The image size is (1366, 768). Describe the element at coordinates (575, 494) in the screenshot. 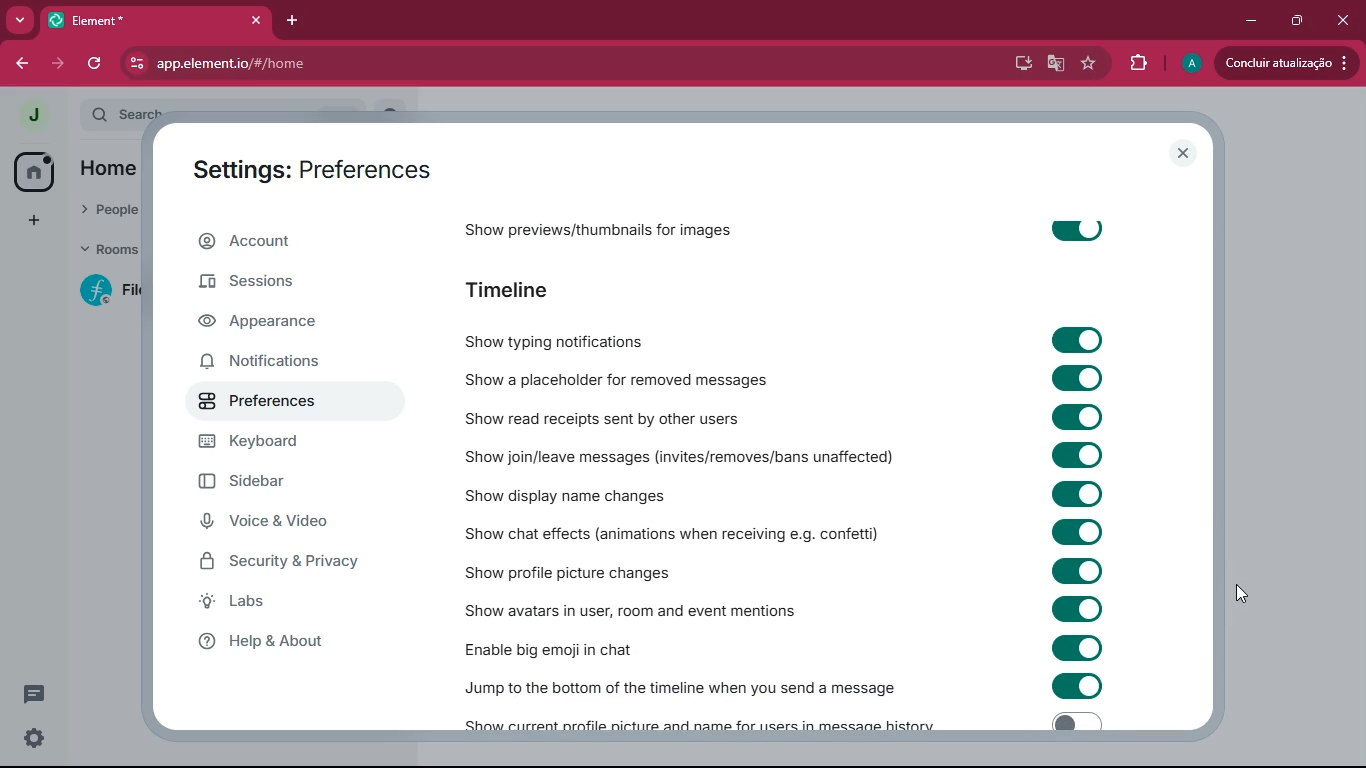

I see `show display name changes` at that location.